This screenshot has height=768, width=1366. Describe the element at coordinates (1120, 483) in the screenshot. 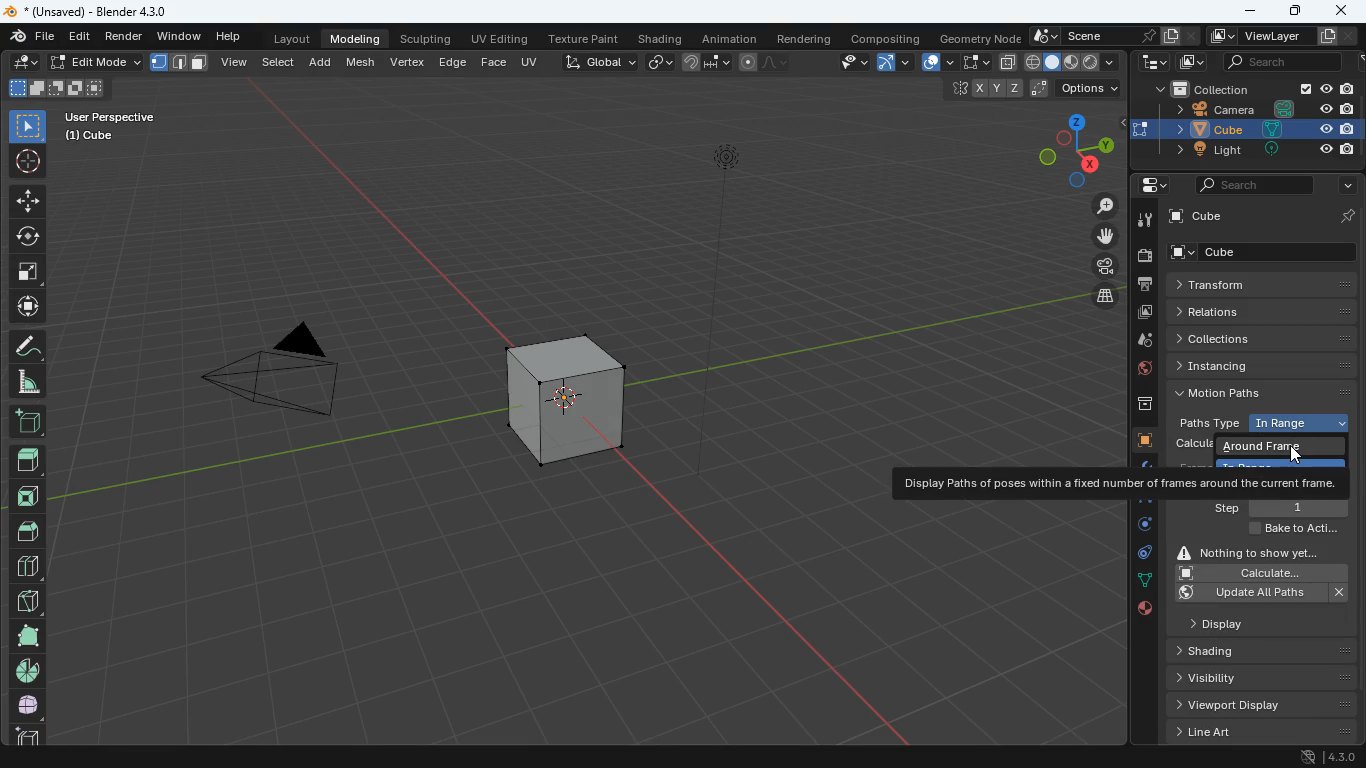

I see `description` at that location.